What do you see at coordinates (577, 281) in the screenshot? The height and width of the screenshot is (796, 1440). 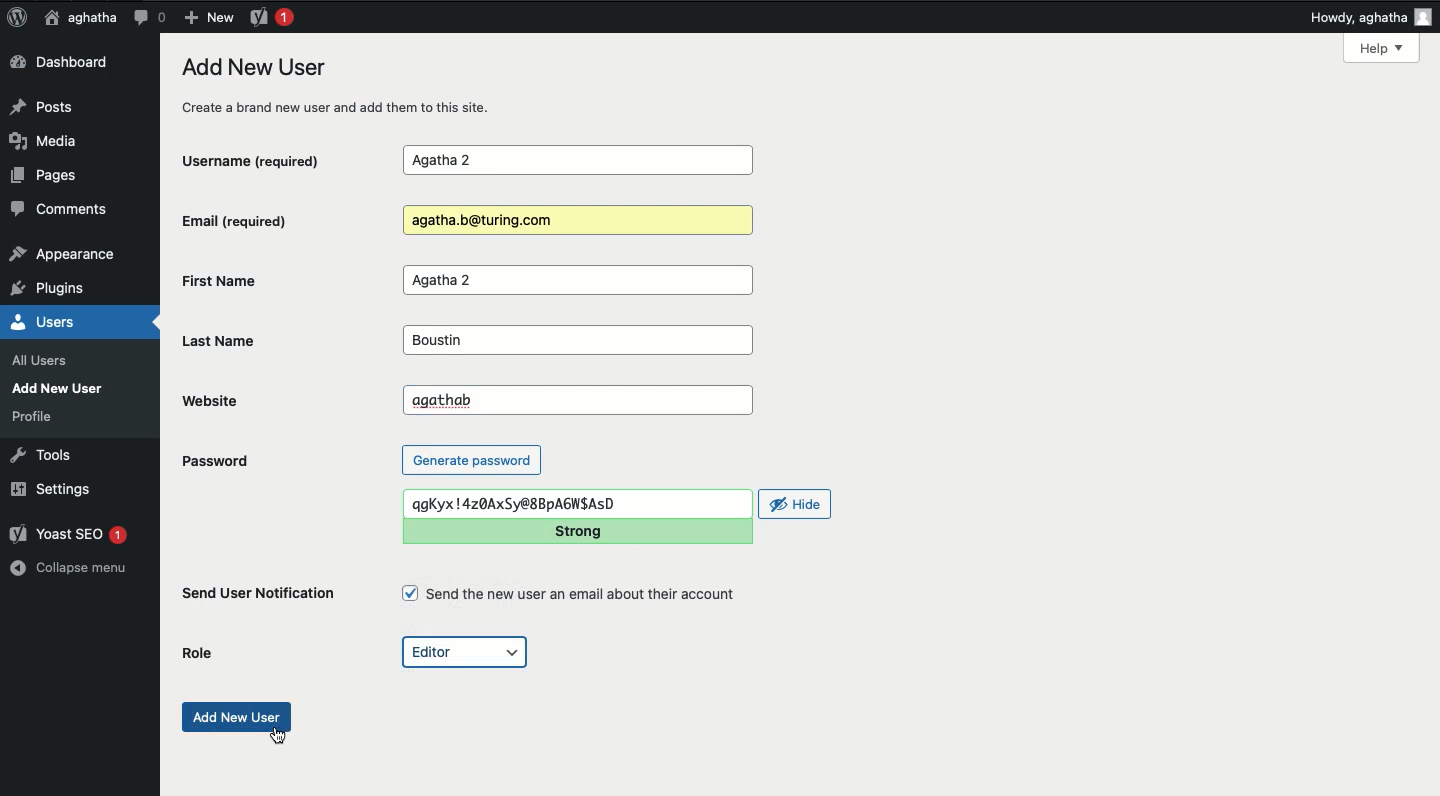 I see `Agatha 2` at bounding box center [577, 281].